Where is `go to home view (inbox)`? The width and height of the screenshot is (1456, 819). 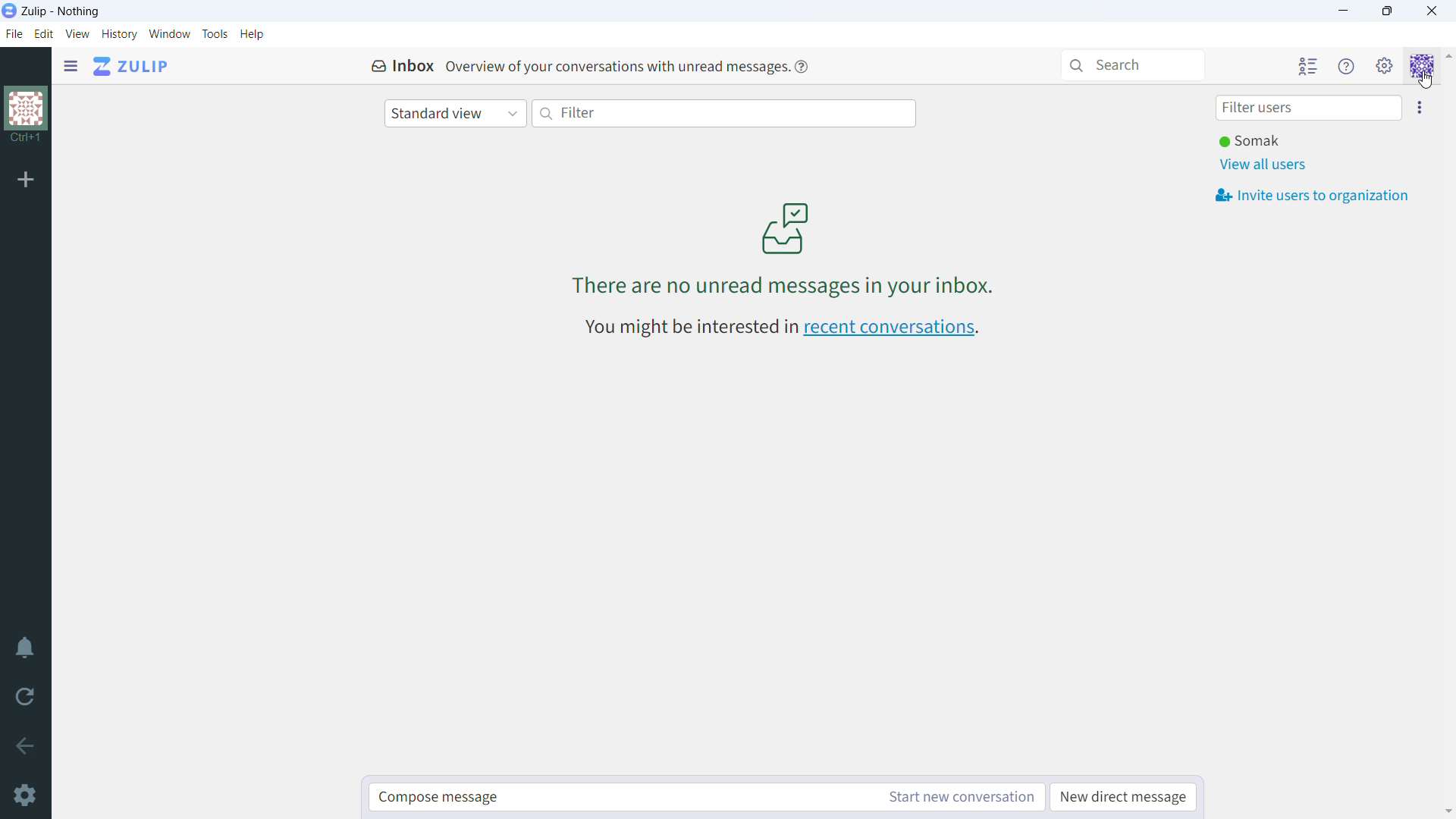 go to home view (inbox) is located at coordinates (130, 66).